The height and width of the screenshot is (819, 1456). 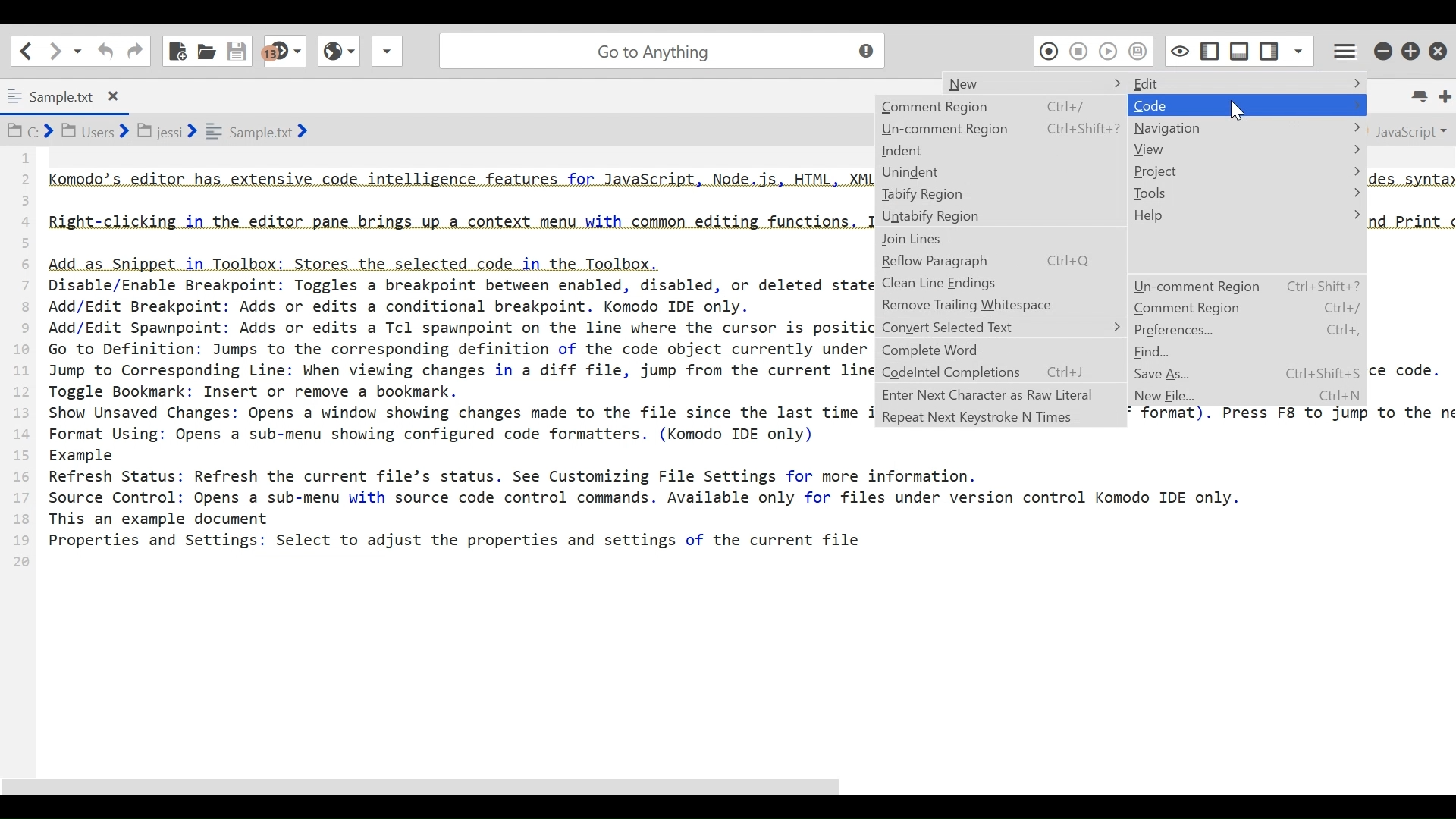 I want to click on File Type, so click(x=1409, y=130).